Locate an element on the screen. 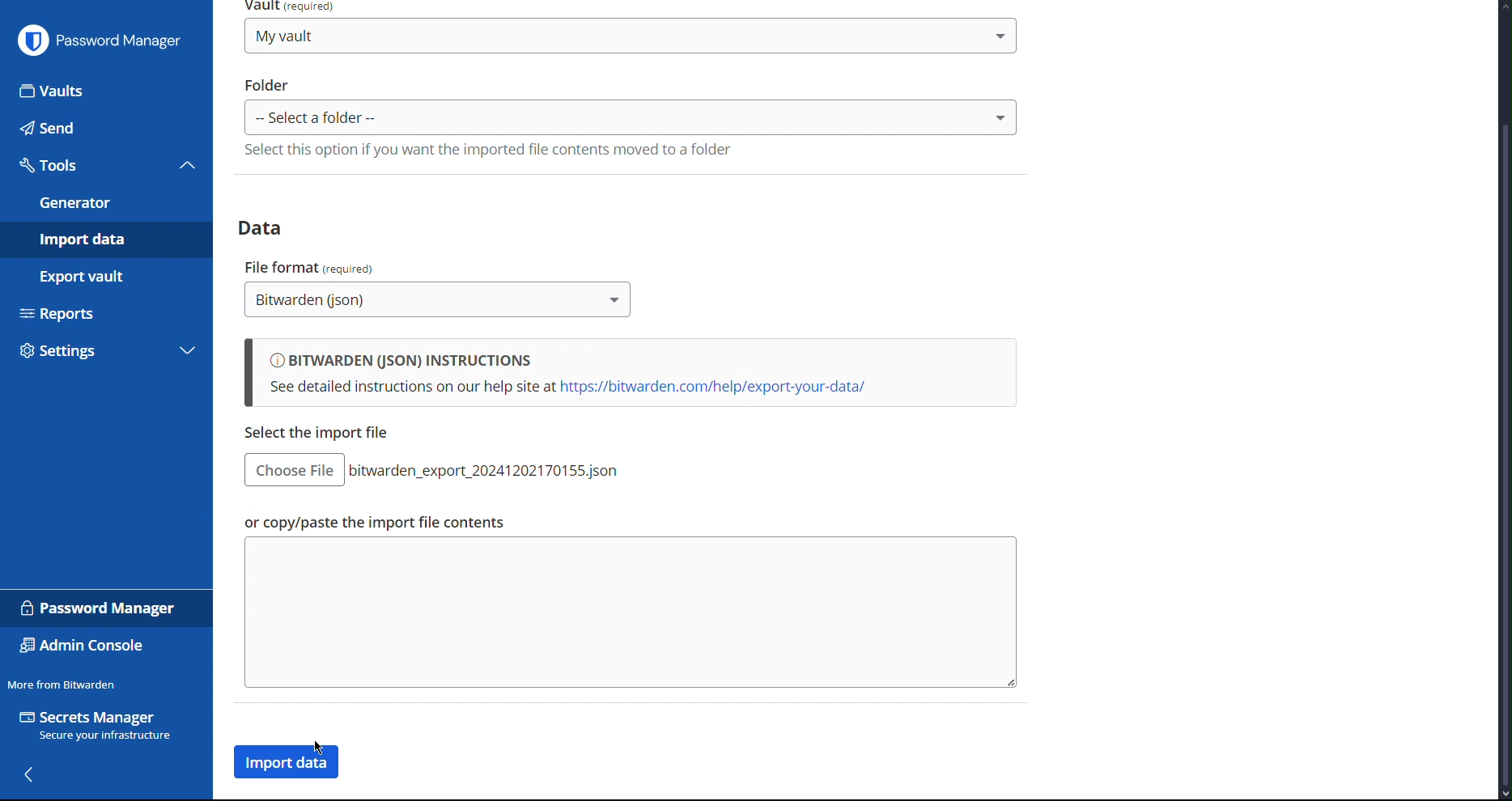 The height and width of the screenshot is (801, 1512). Bitwarden (json) instructions is located at coordinates (630, 374).